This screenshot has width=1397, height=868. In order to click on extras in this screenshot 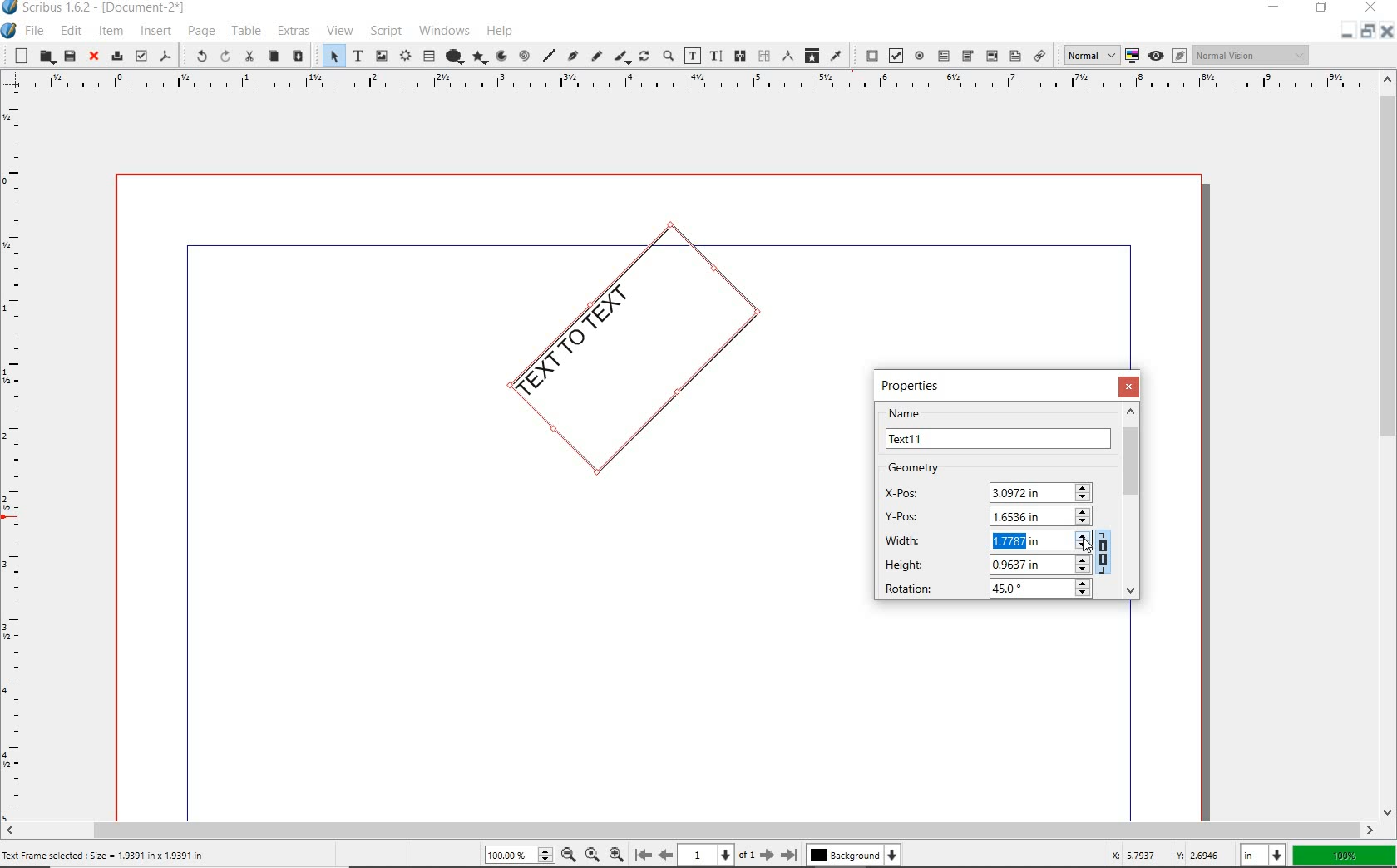, I will do `click(294, 31)`.